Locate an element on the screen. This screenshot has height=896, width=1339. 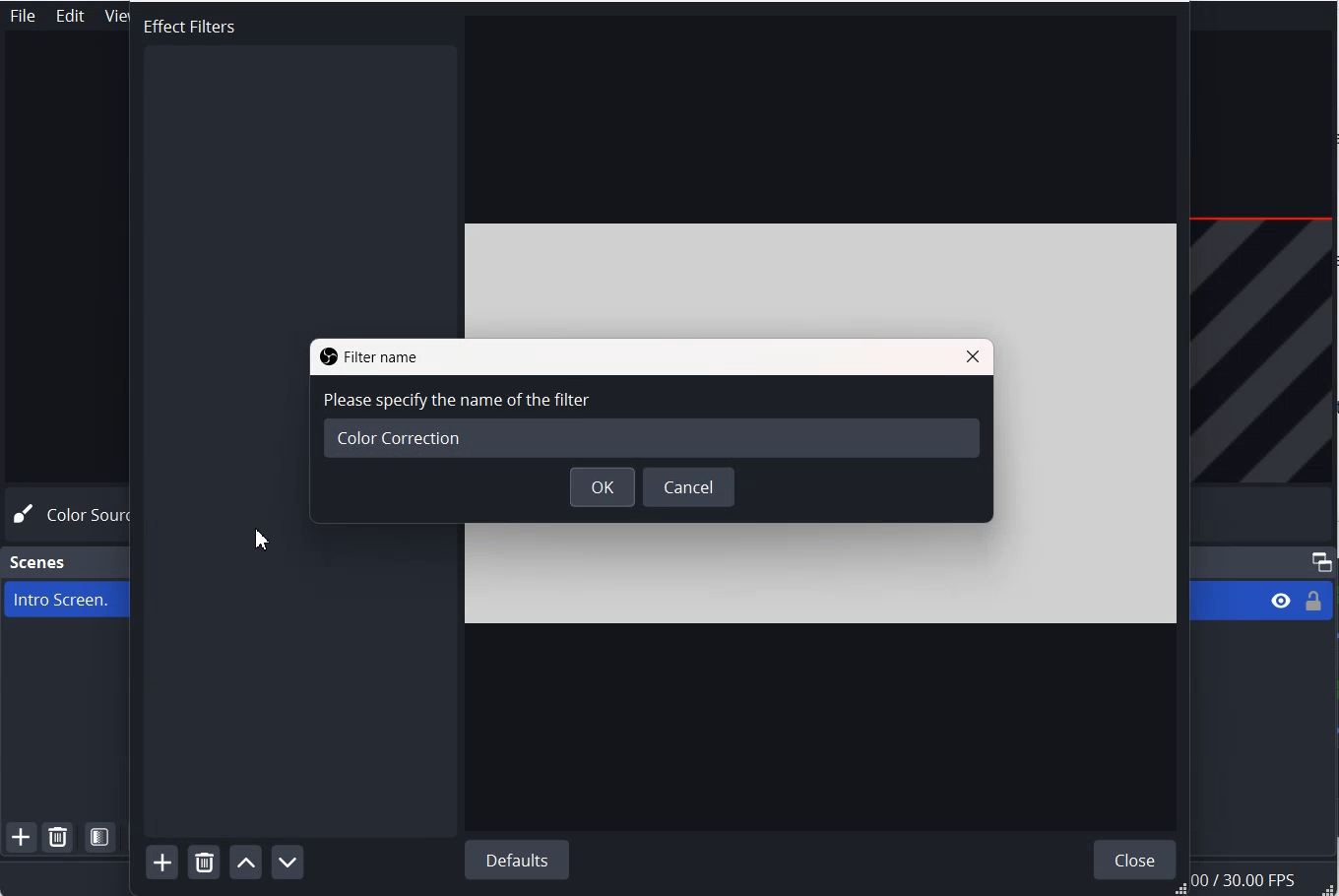
Close is located at coordinates (973, 355).